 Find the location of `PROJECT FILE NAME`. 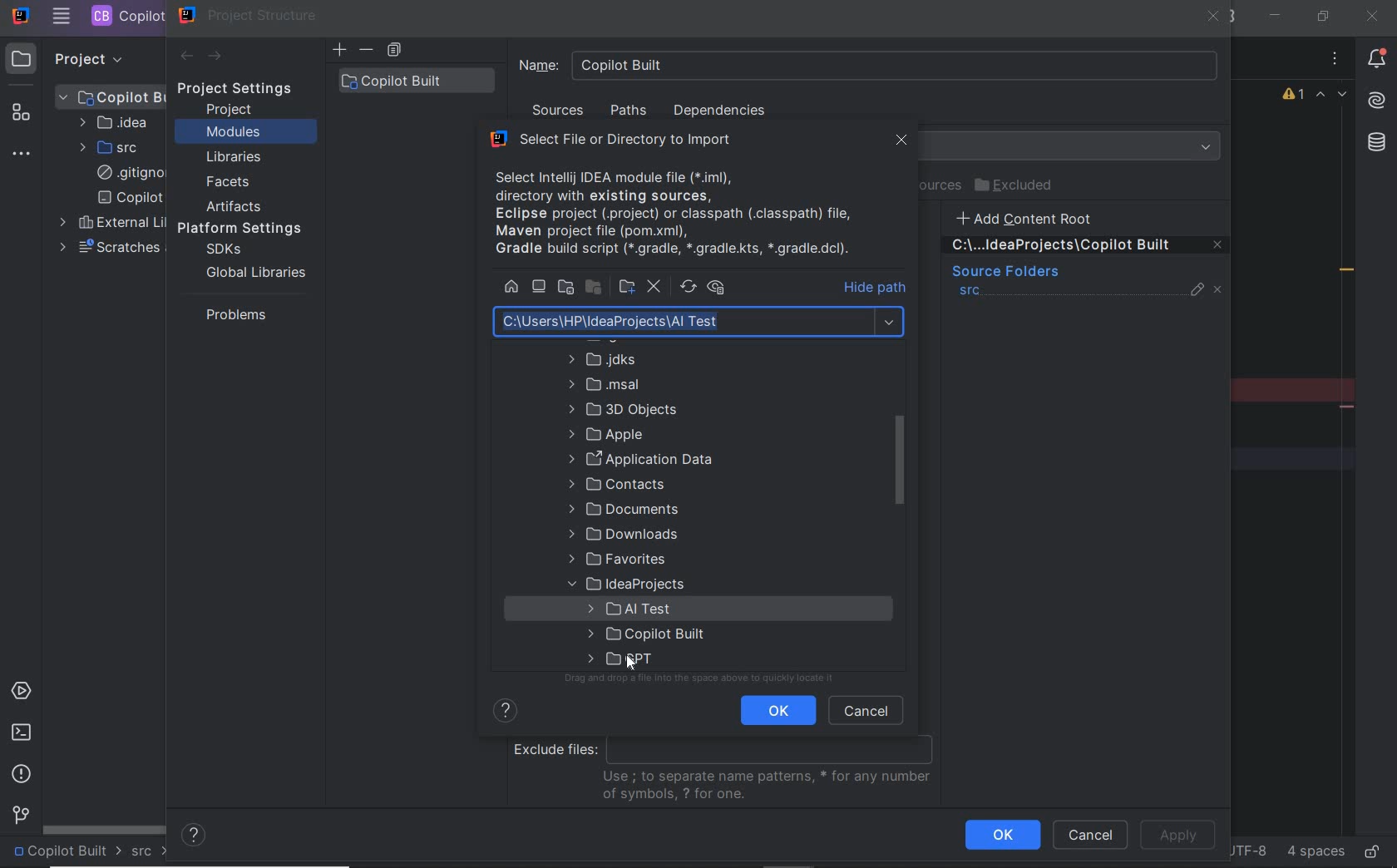

PROJECT FILE NAME is located at coordinates (126, 16).